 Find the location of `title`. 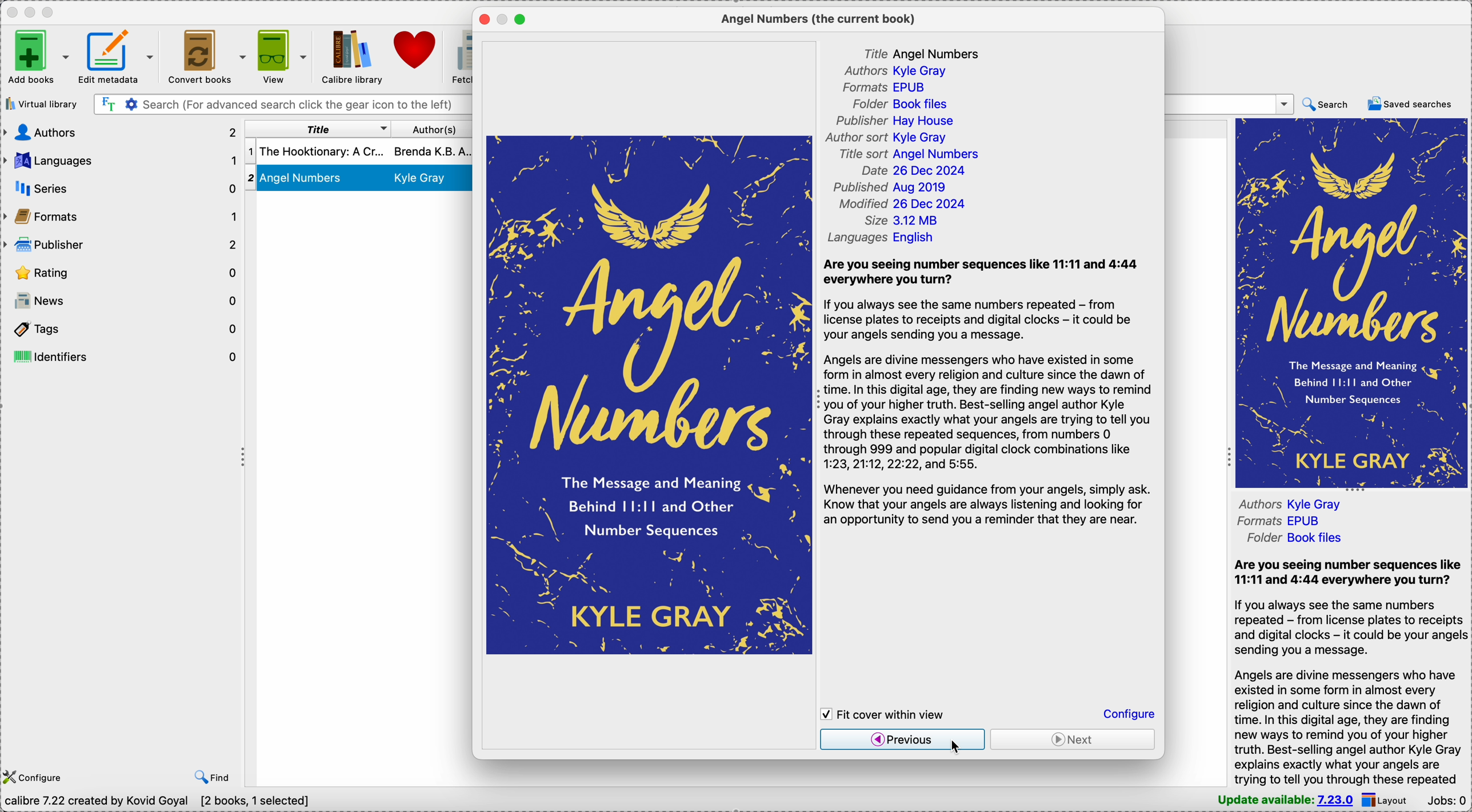

title is located at coordinates (929, 53).